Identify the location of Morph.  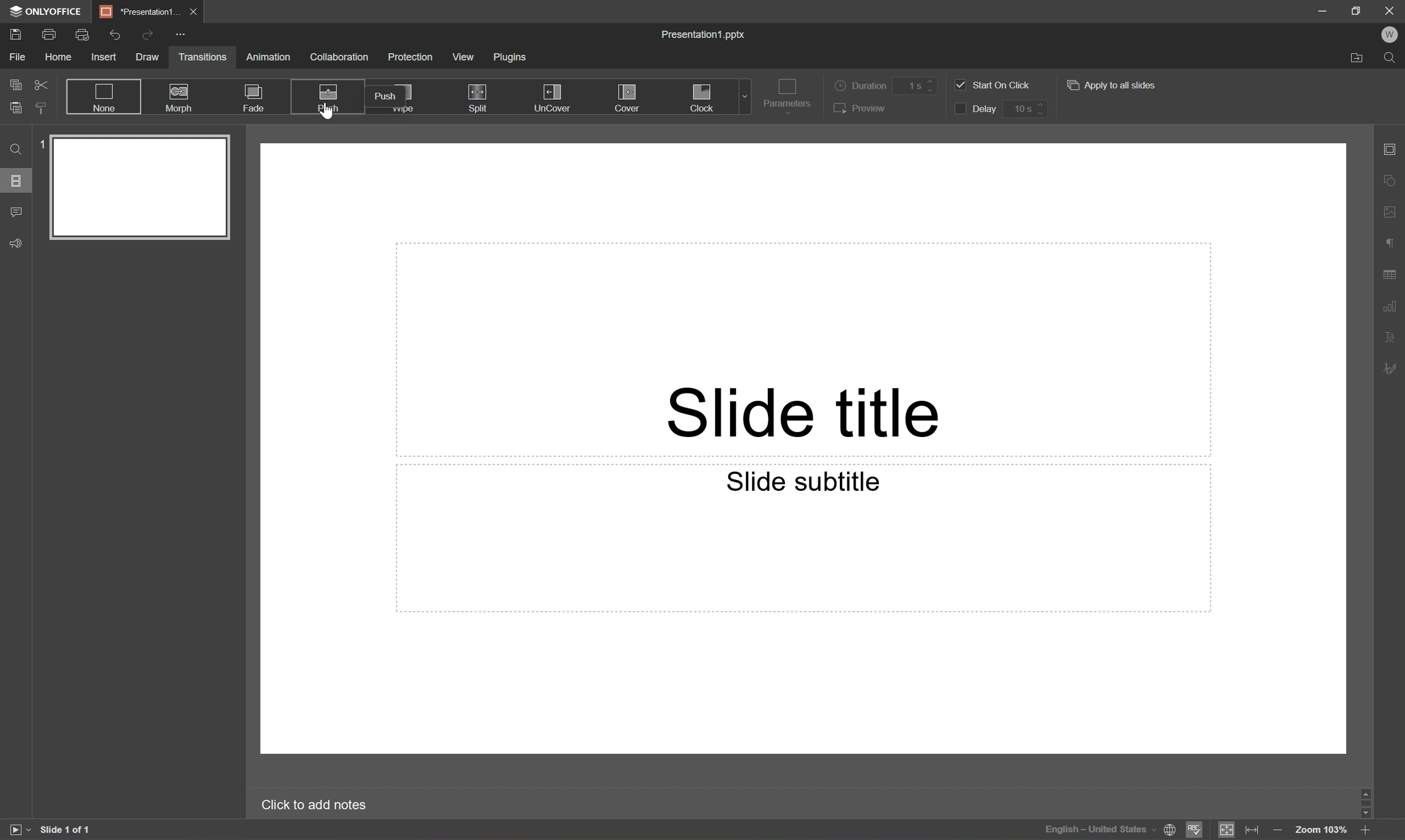
(178, 98).